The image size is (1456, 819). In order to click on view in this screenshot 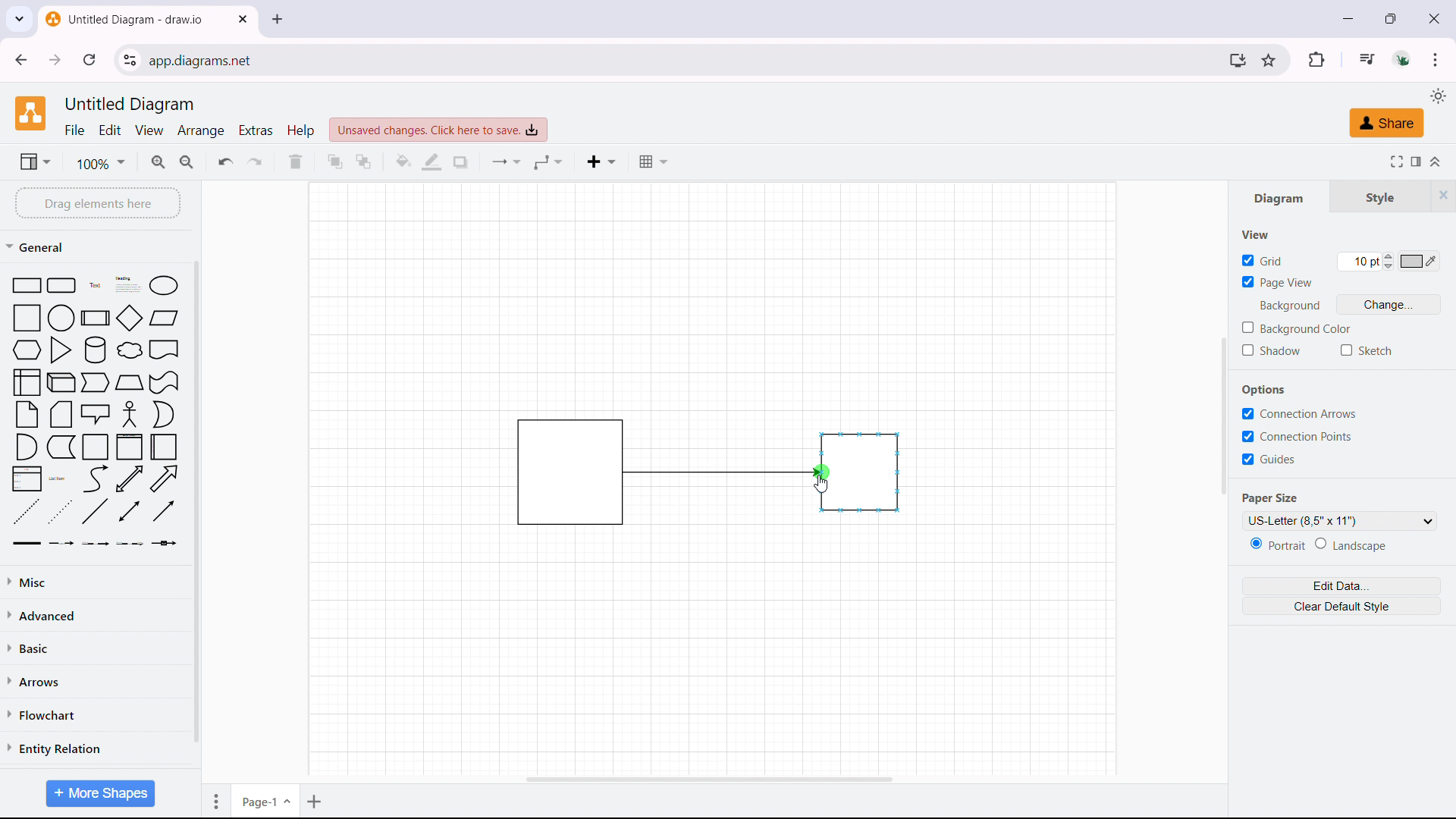, I will do `click(34, 161)`.